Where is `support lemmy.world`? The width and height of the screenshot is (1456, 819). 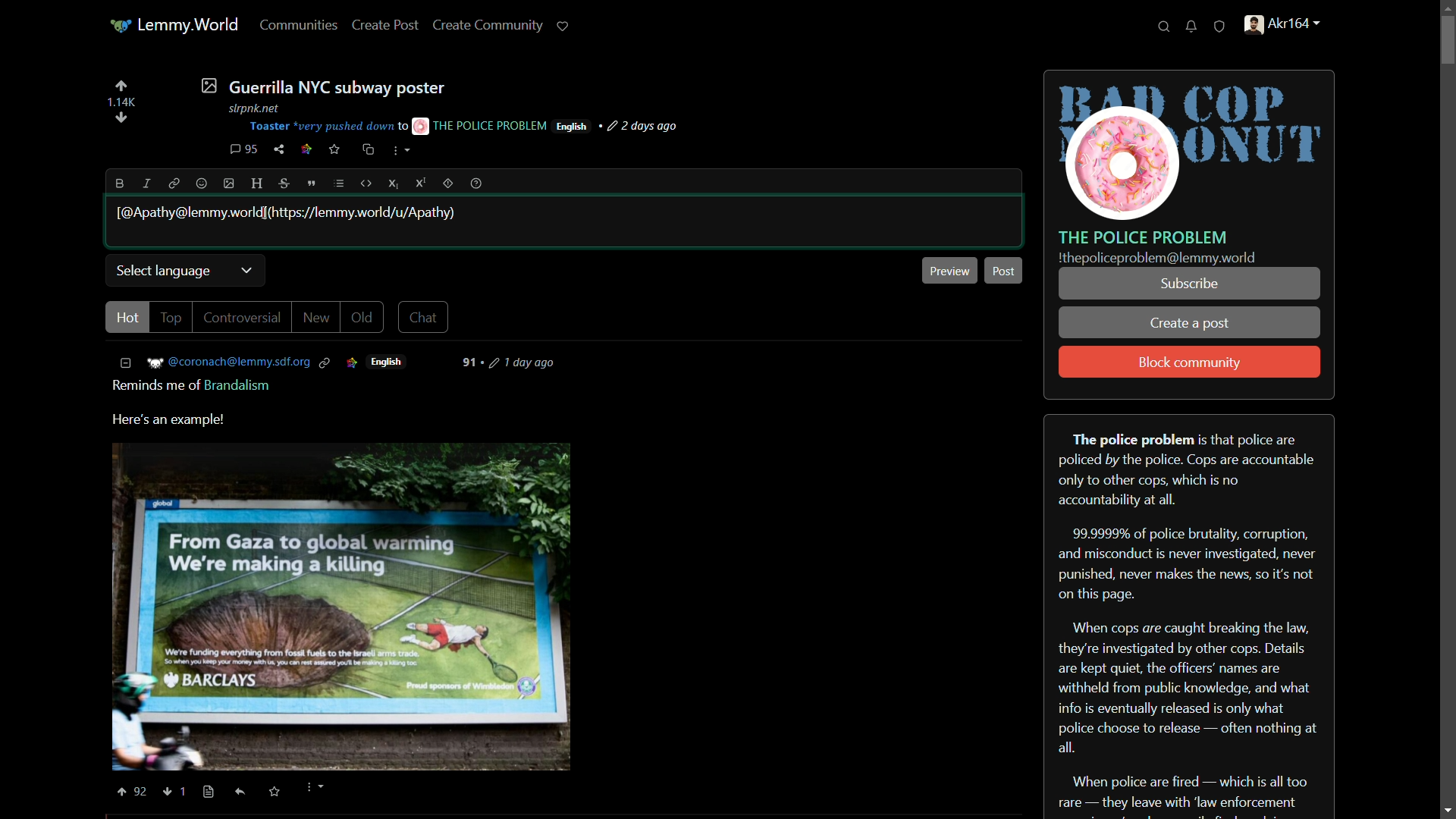 support lemmy.world is located at coordinates (563, 26).